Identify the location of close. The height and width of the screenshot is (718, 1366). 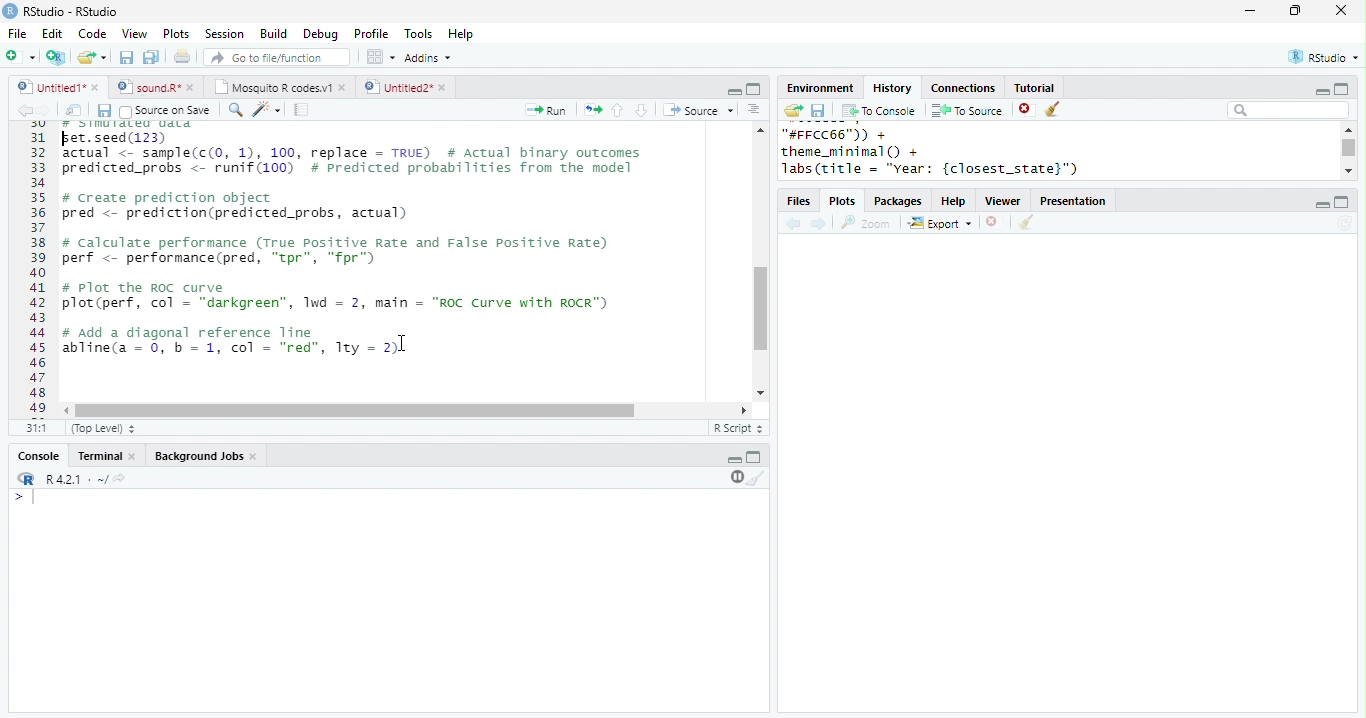
(445, 88).